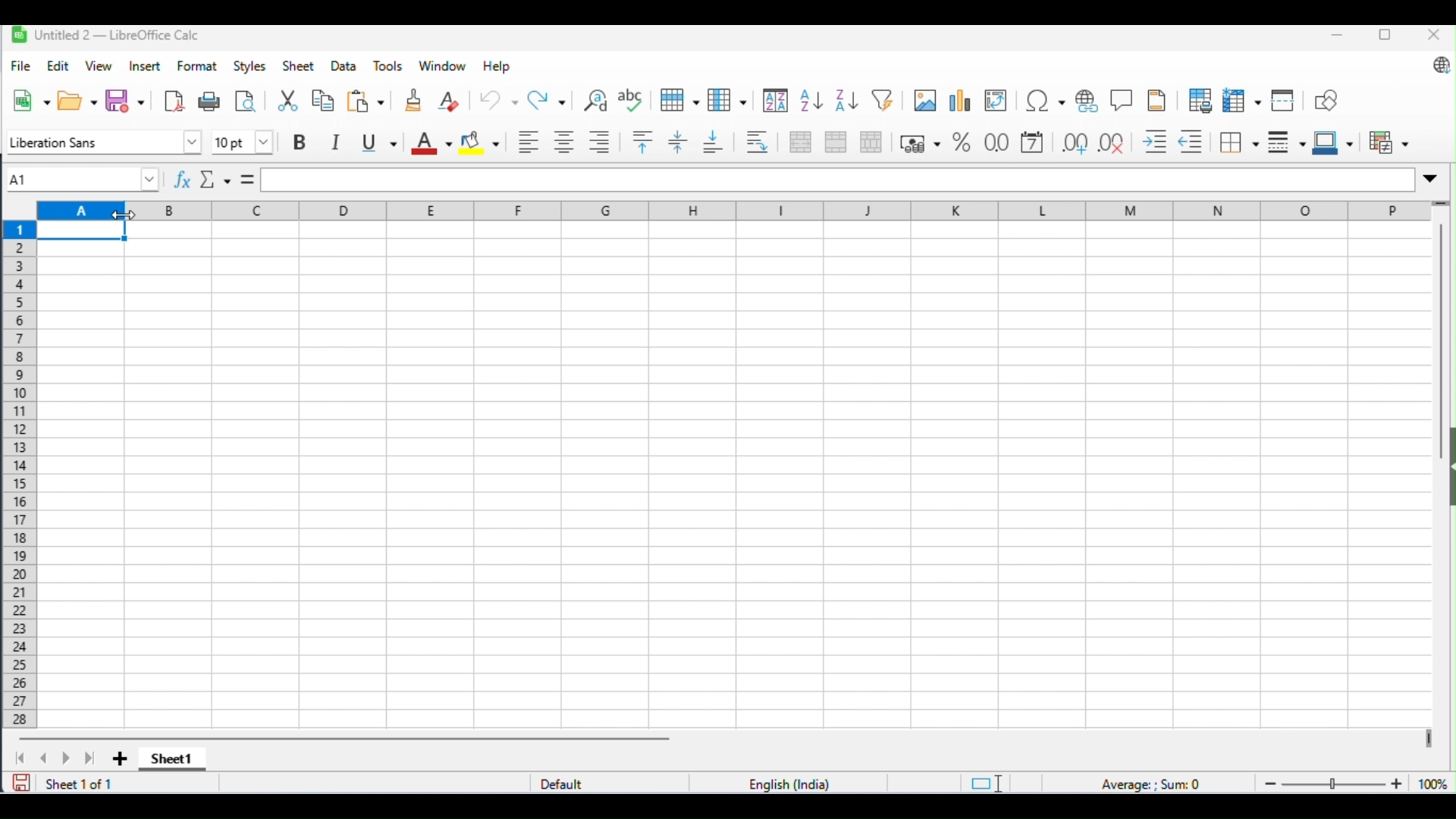  I want to click on insert hyperlink, so click(1090, 101).